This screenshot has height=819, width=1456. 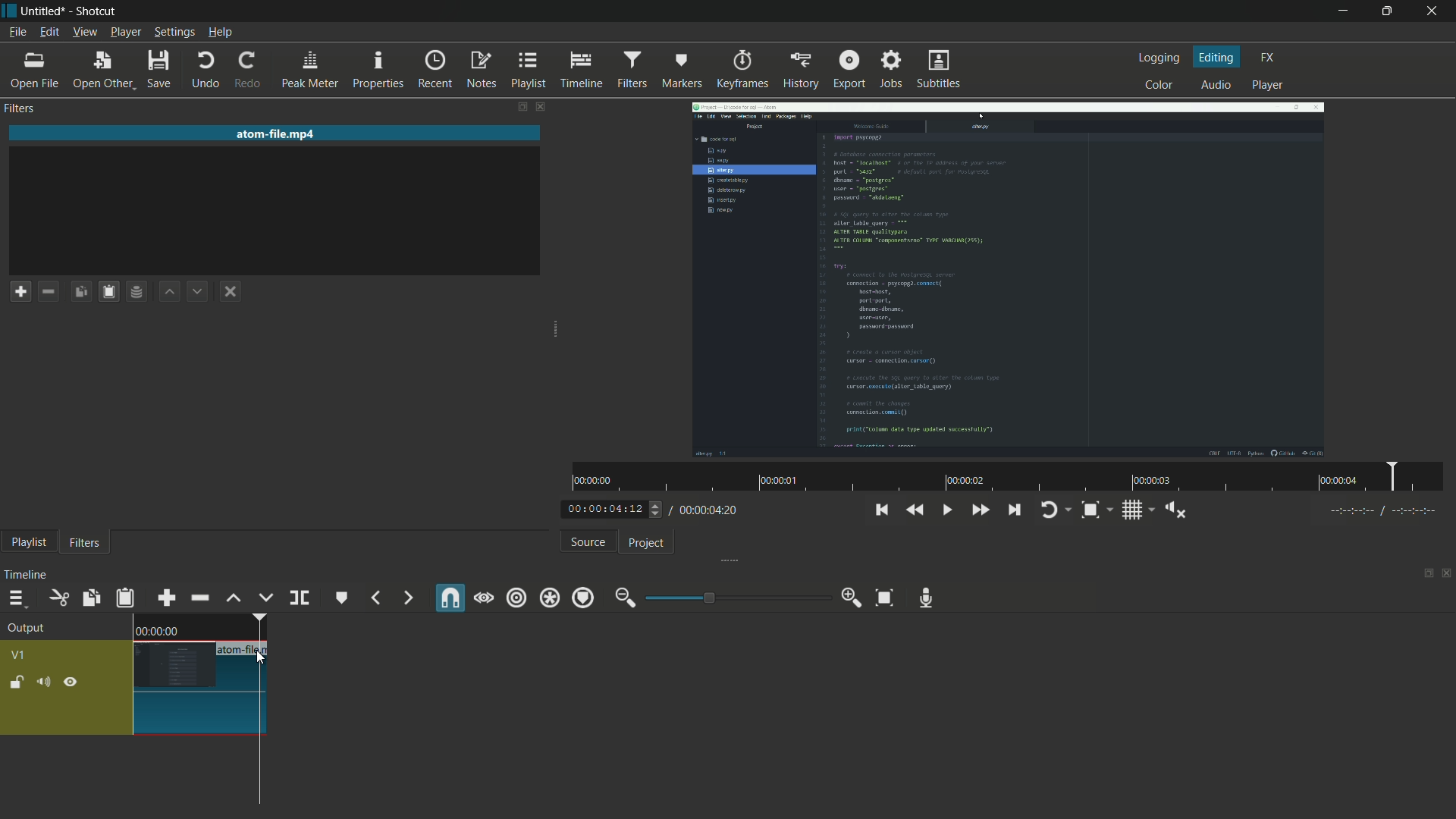 I want to click on split at playhead, so click(x=301, y=597).